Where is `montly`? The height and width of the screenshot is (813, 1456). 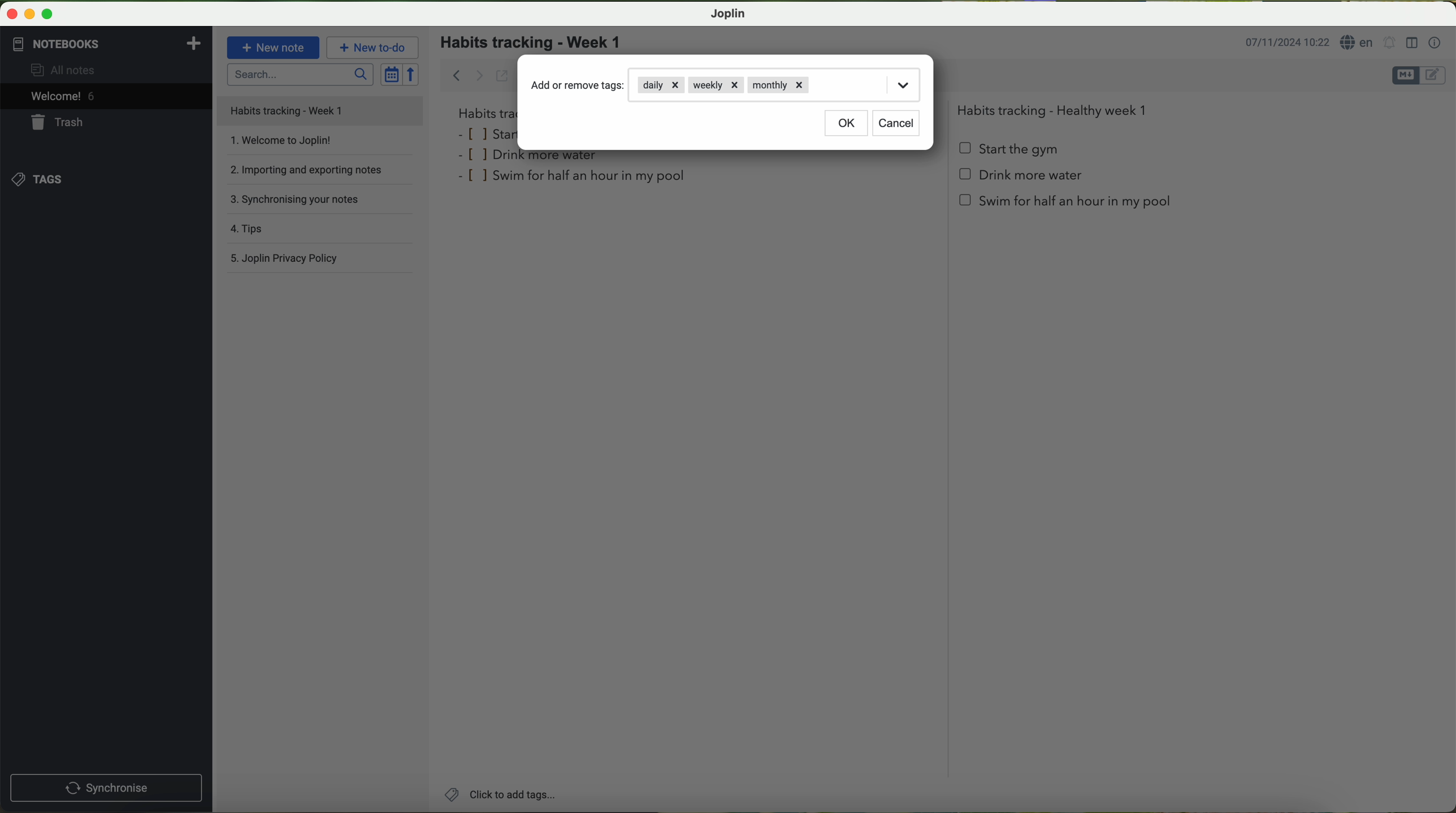 montly is located at coordinates (779, 87).